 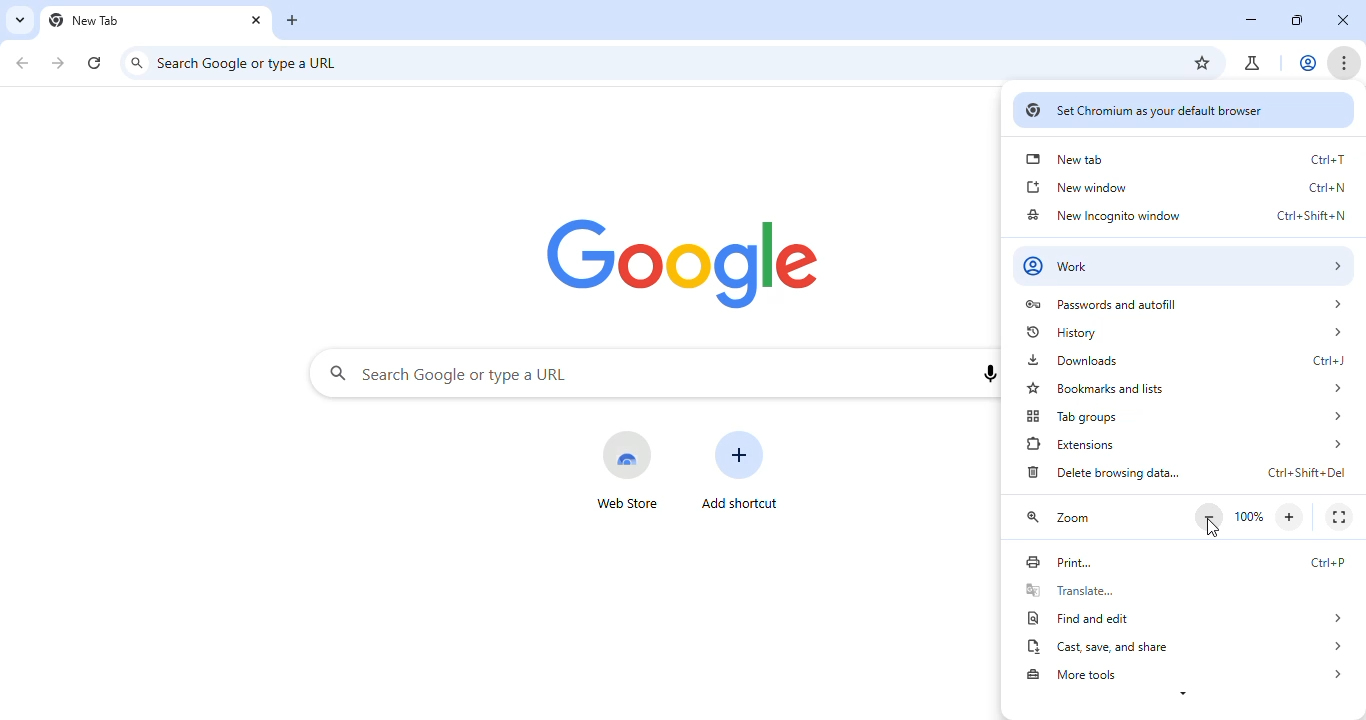 I want to click on minimize, so click(x=1250, y=20).